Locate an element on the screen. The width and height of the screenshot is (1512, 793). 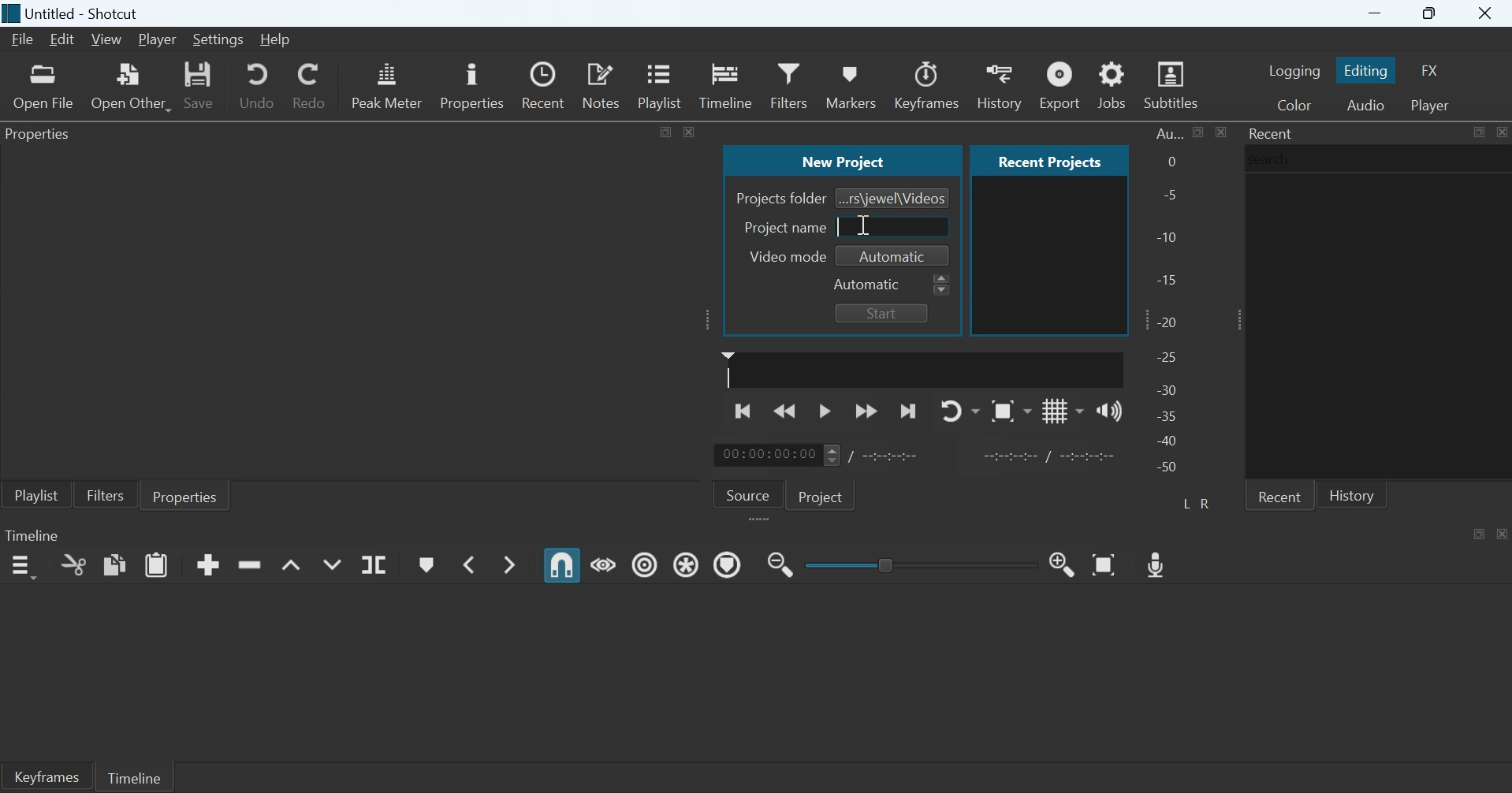
Audio Peak meter is located at coordinates (387, 83).